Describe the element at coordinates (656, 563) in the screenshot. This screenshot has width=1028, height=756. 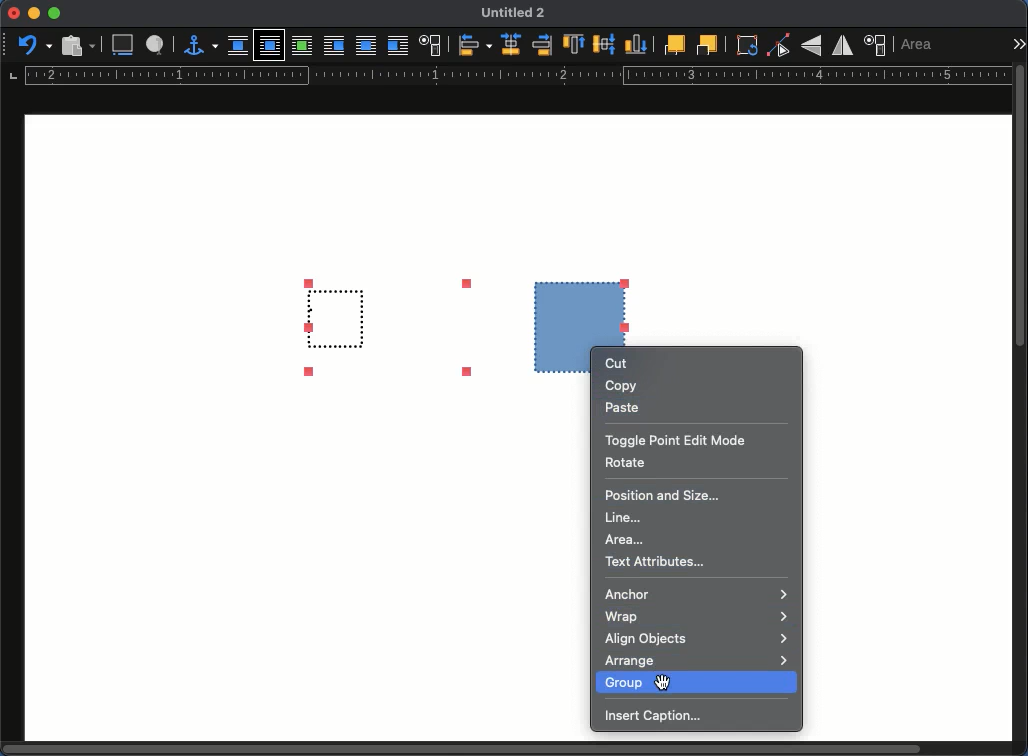
I see `text attributes` at that location.